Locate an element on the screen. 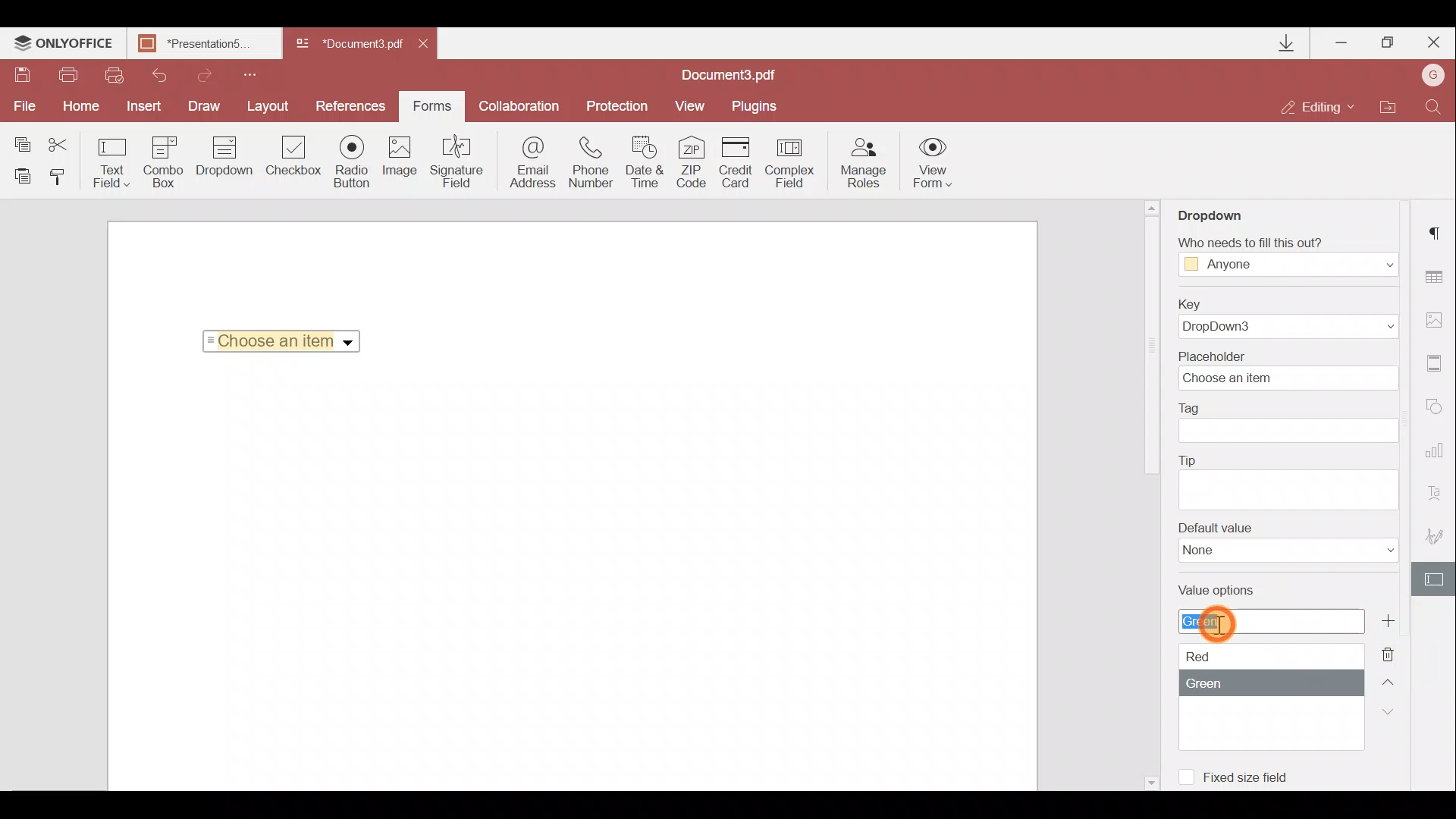 The width and height of the screenshot is (1456, 819). Forms is located at coordinates (432, 106).